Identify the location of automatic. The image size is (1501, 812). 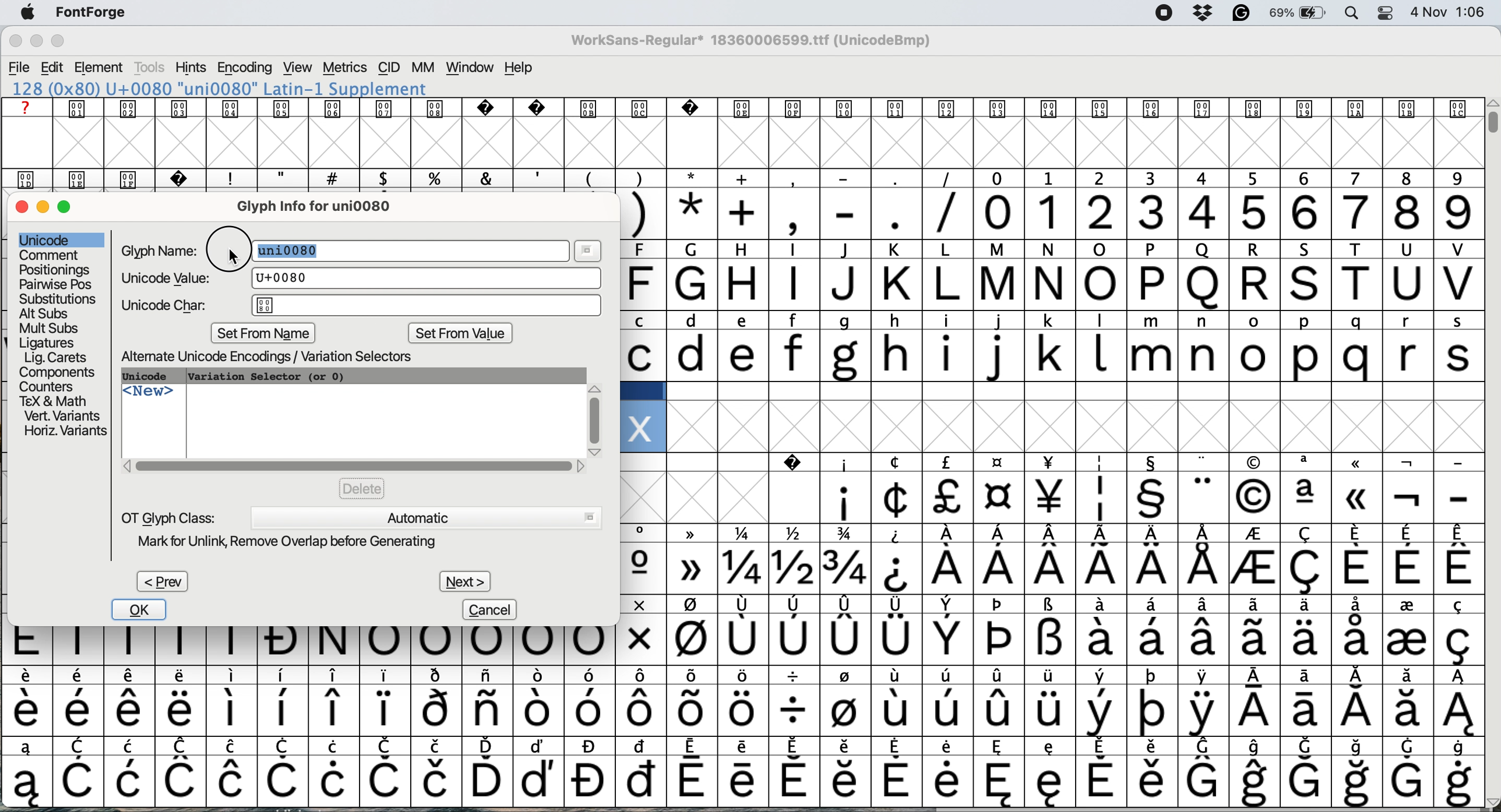
(425, 517).